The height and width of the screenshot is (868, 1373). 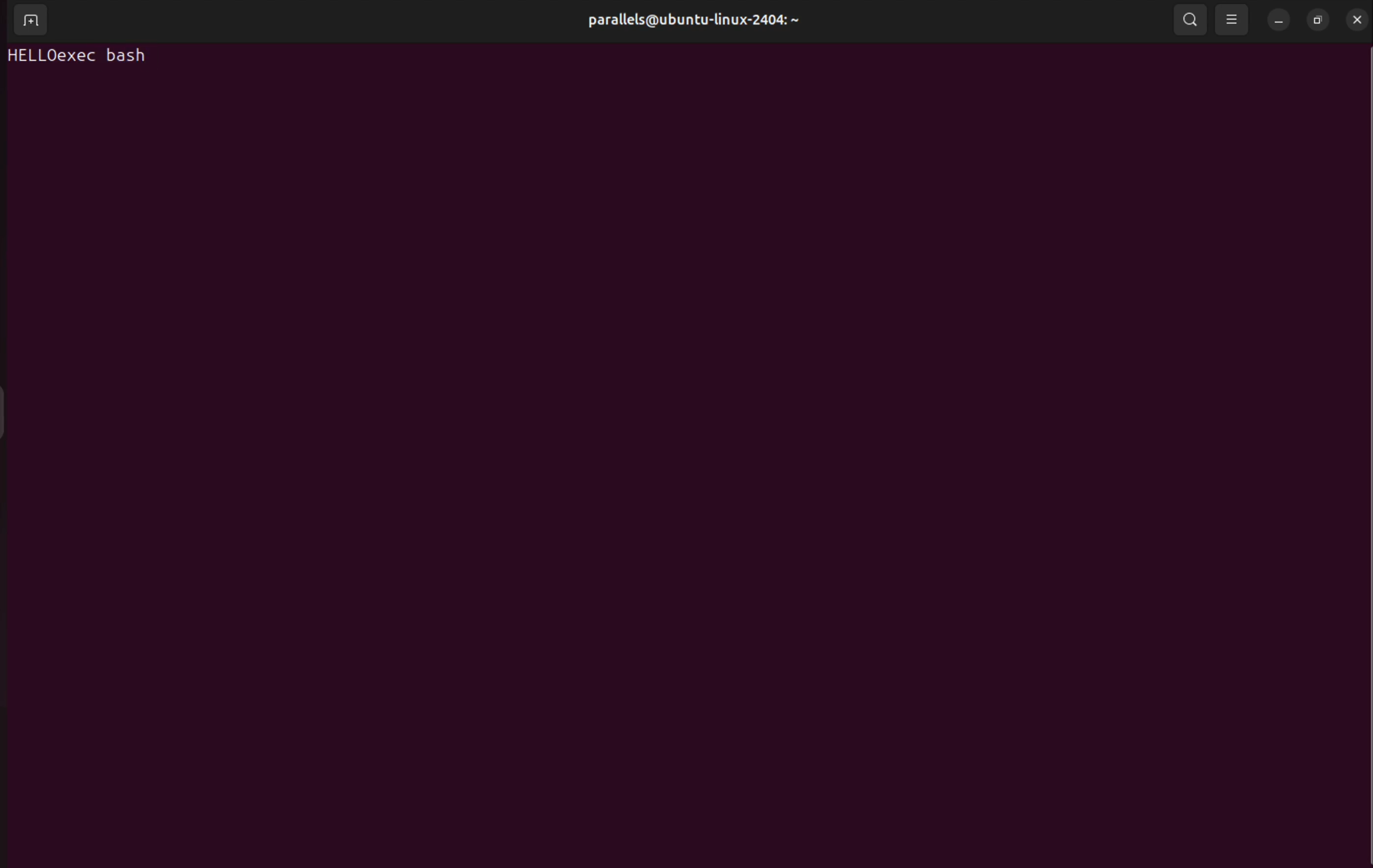 I want to click on minimize, so click(x=1279, y=20).